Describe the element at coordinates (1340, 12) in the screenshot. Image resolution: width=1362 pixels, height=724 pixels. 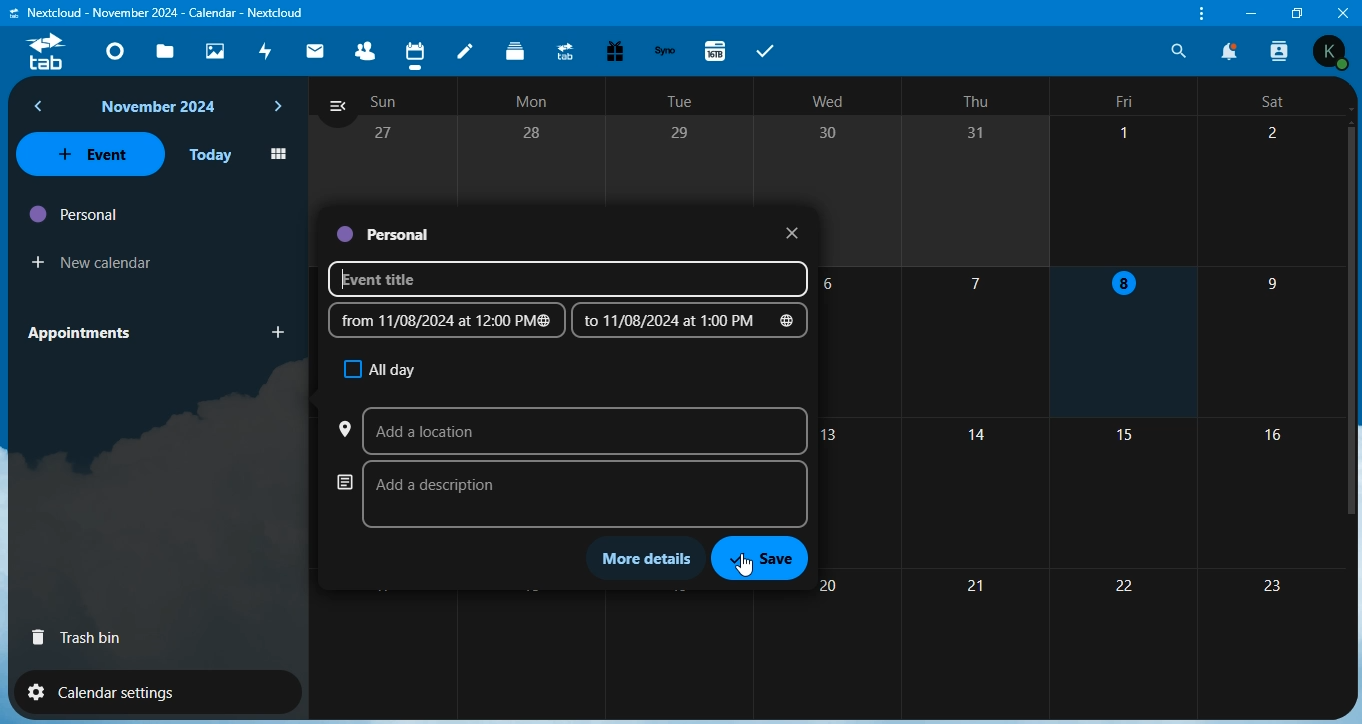
I see `` at that location.